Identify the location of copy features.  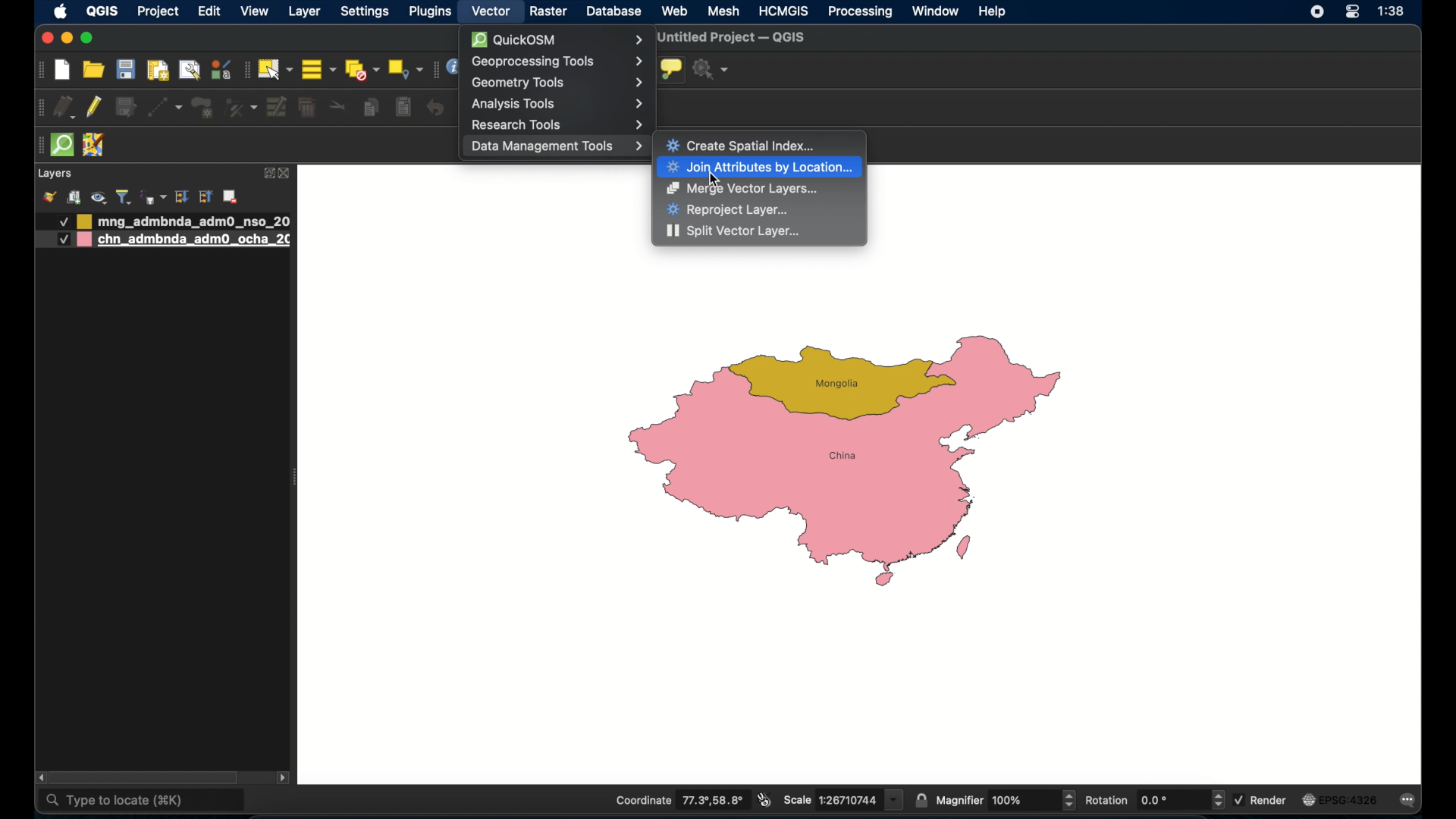
(372, 110).